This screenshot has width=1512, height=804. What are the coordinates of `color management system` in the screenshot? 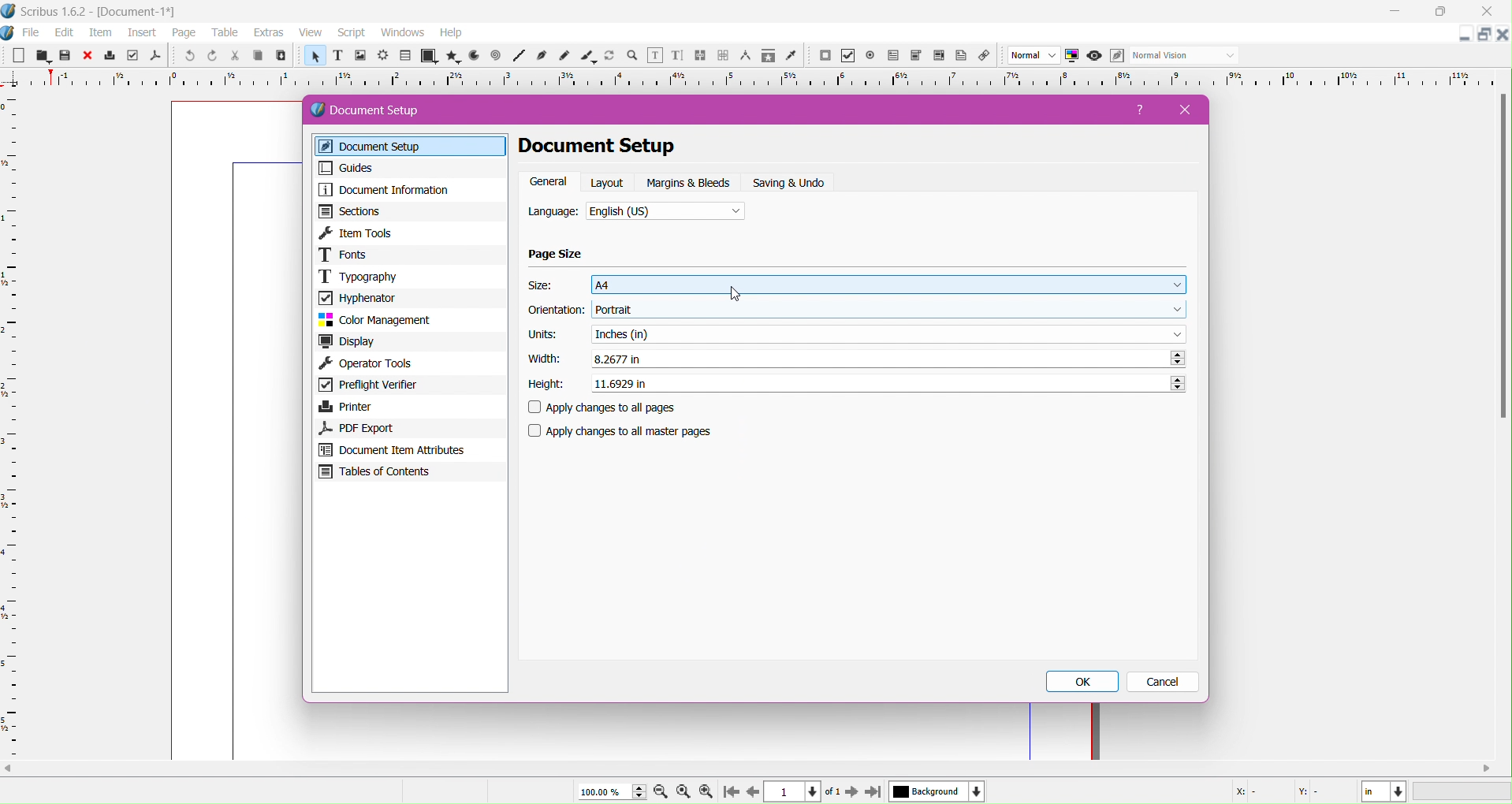 It's located at (1072, 56).